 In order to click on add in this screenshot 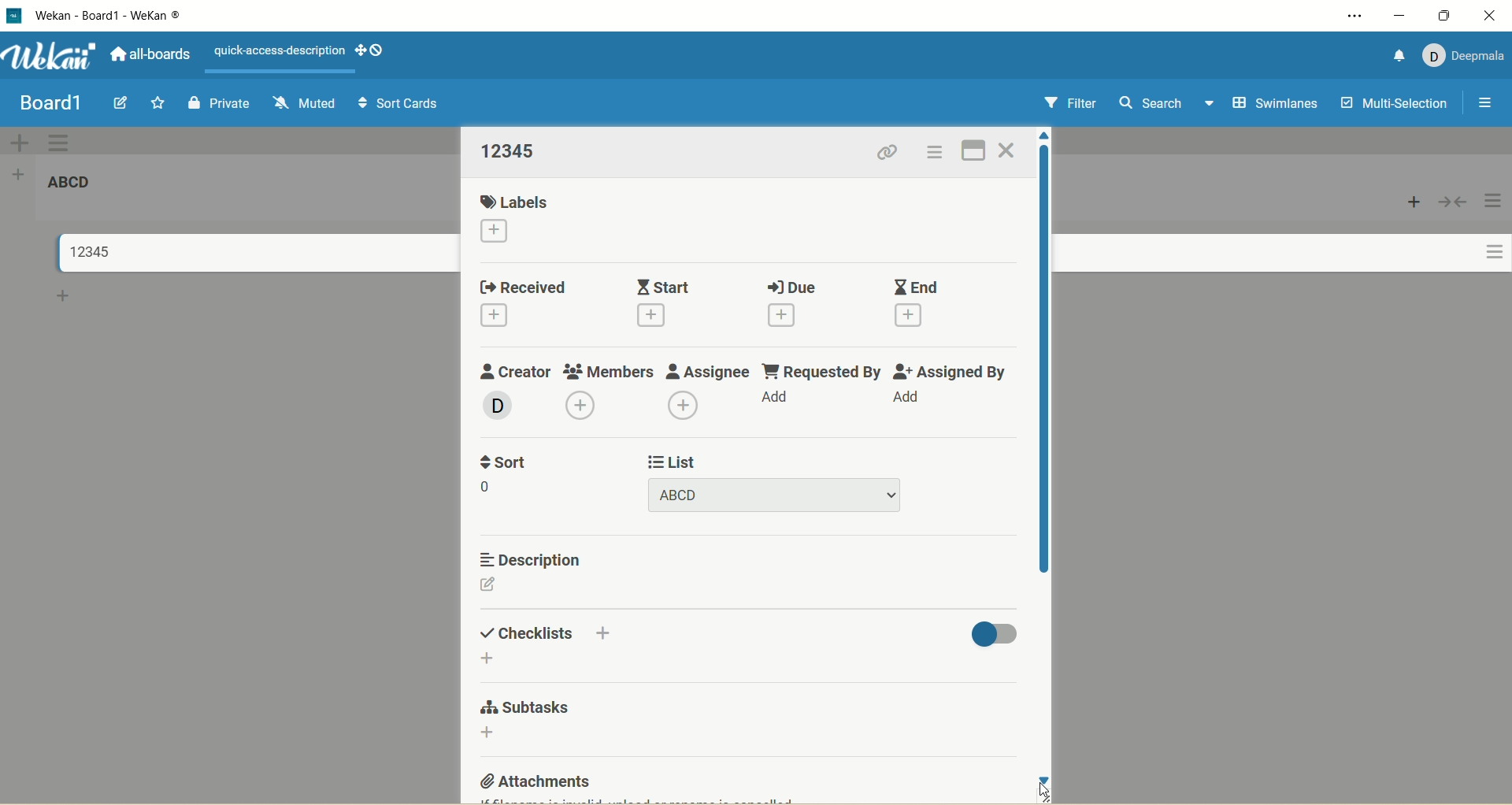, I will do `click(606, 632)`.